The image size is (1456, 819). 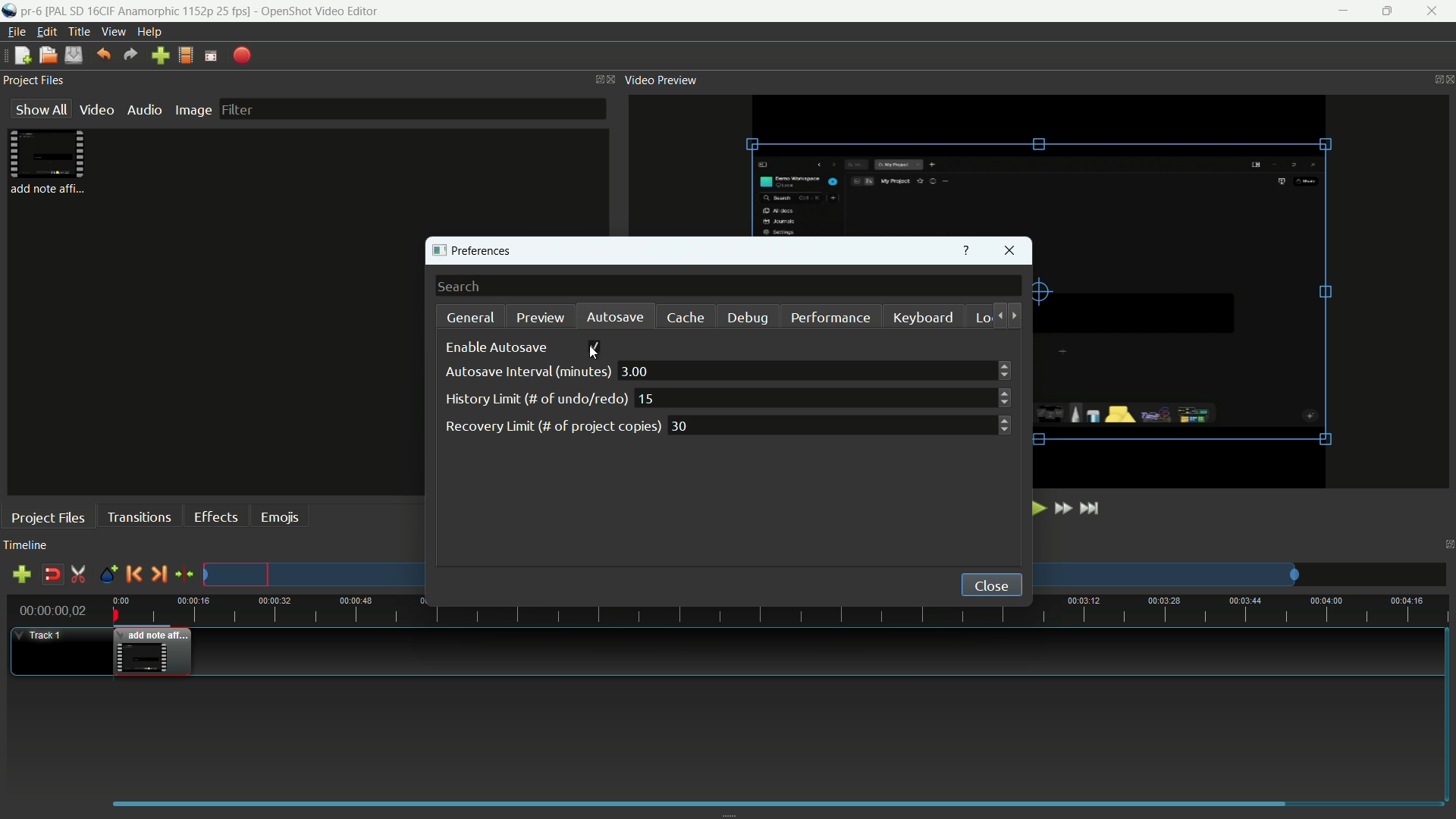 What do you see at coordinates (48, 516) in the screenshot?
I see `project files` at bounding box center [48, 516].